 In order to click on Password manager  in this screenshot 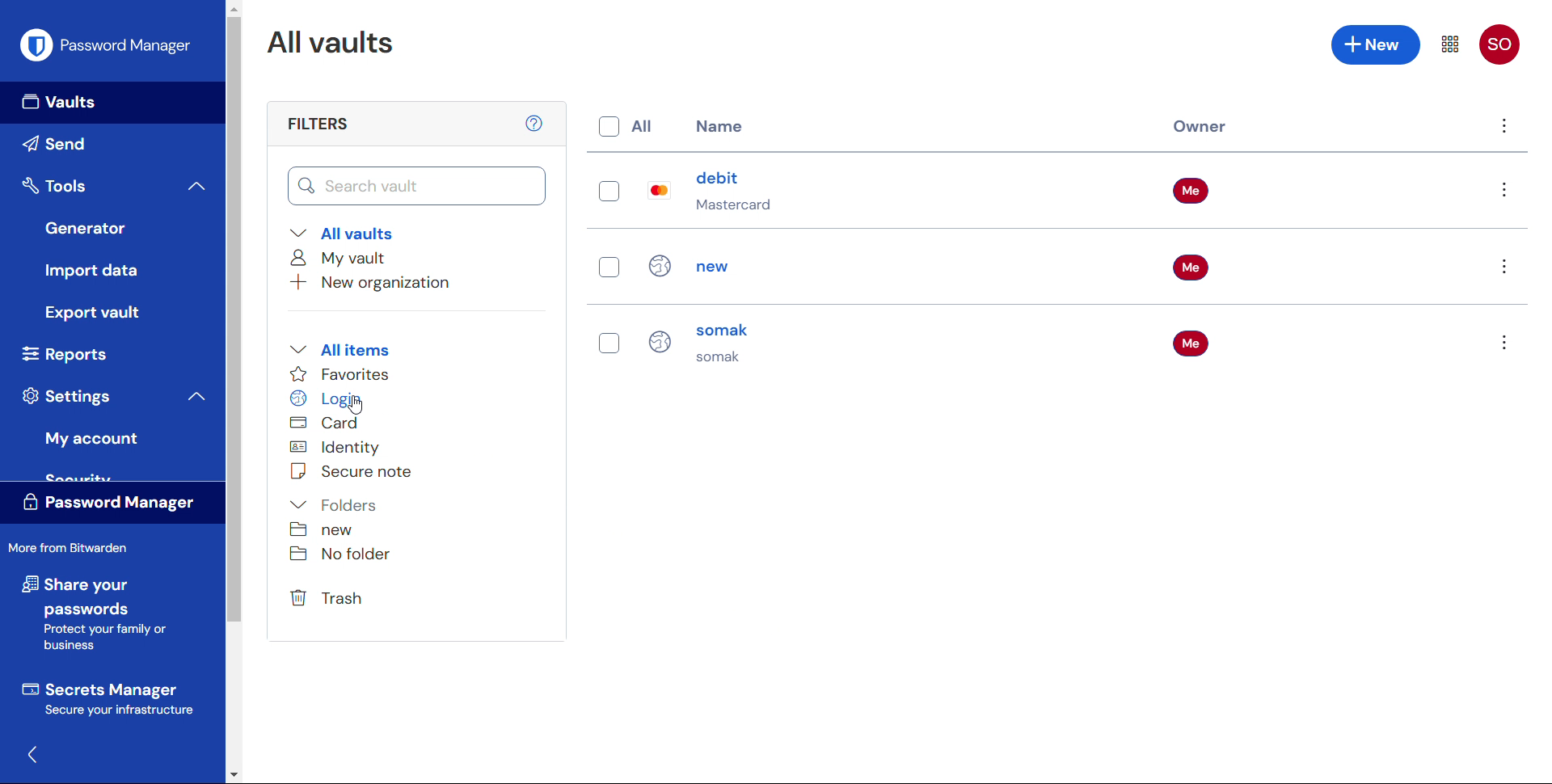, I will do `click(111, 49)`.